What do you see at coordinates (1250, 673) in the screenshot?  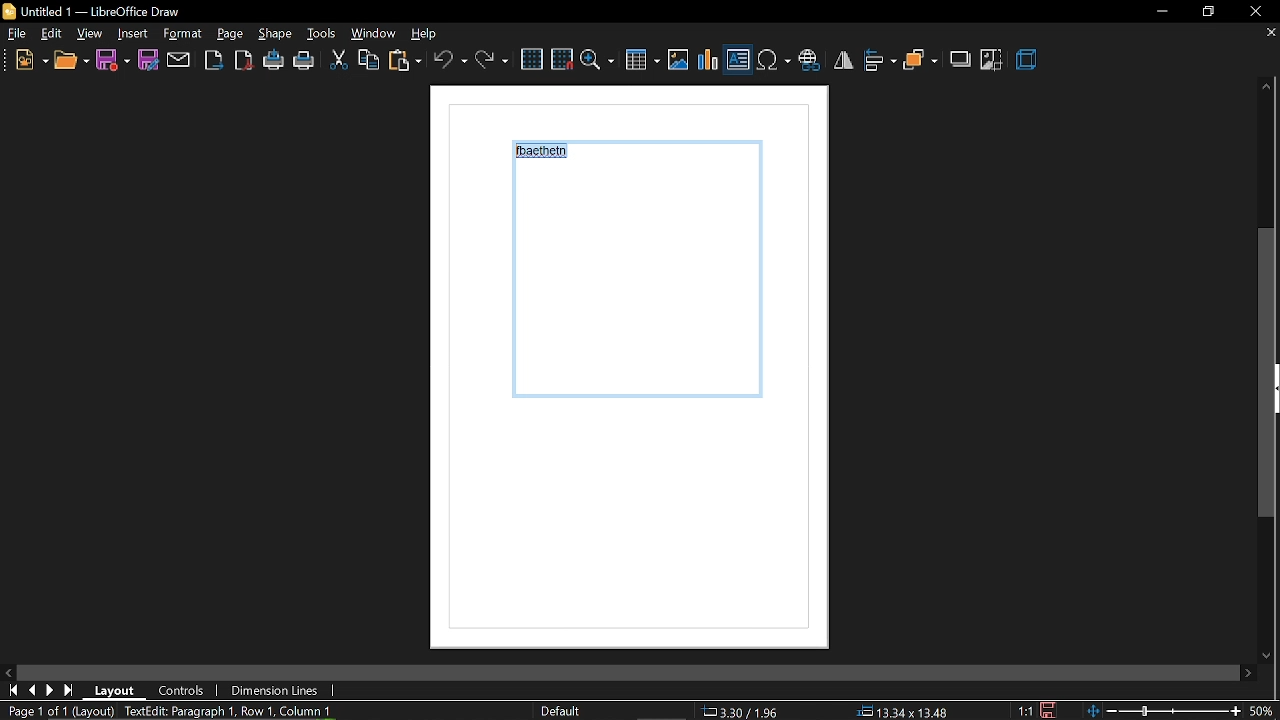 I see `move right` at bounding box center [1250, 673].